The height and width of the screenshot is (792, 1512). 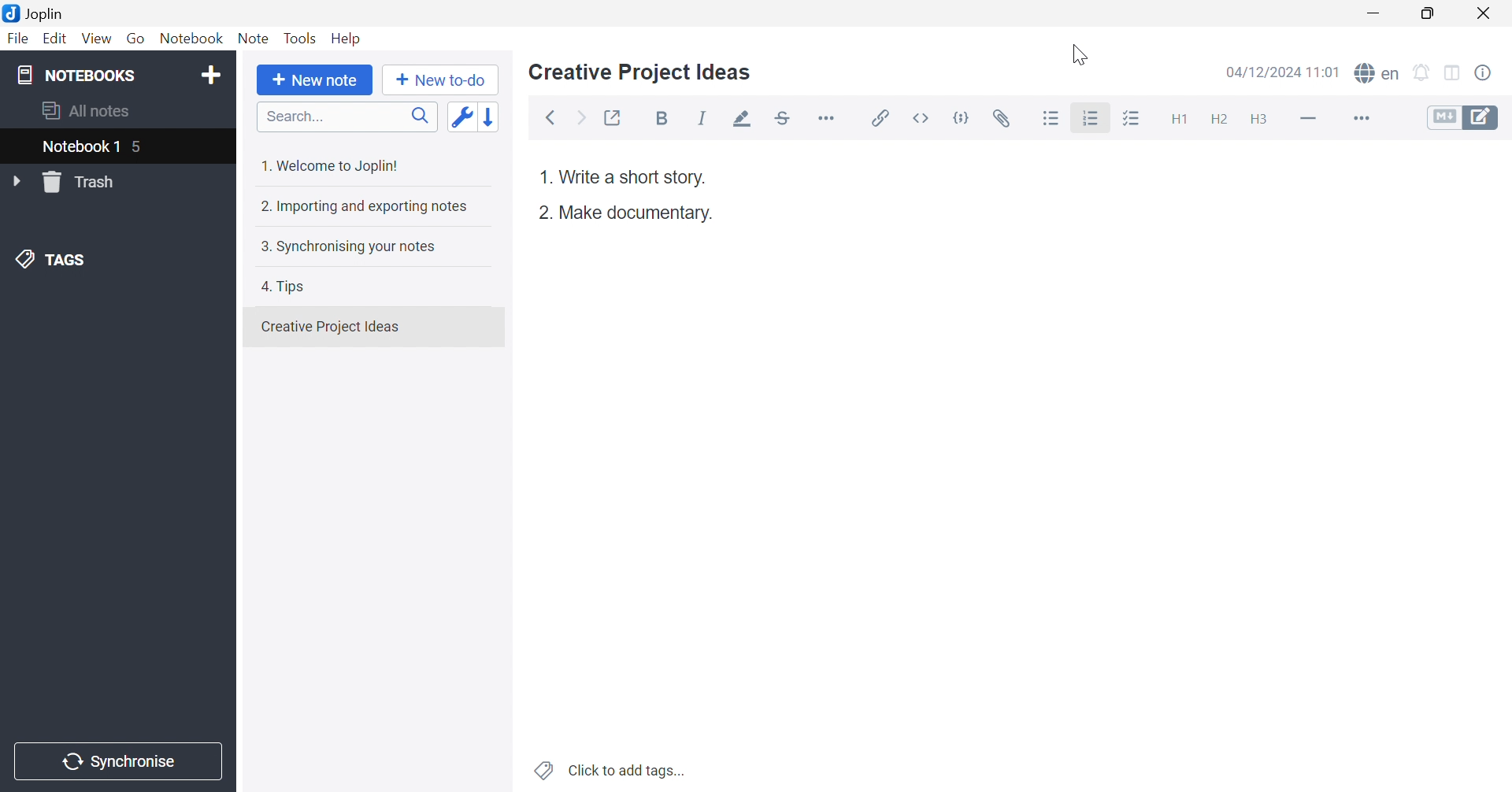 I want to click on Toggle editors, so click(x=1463, y=118).